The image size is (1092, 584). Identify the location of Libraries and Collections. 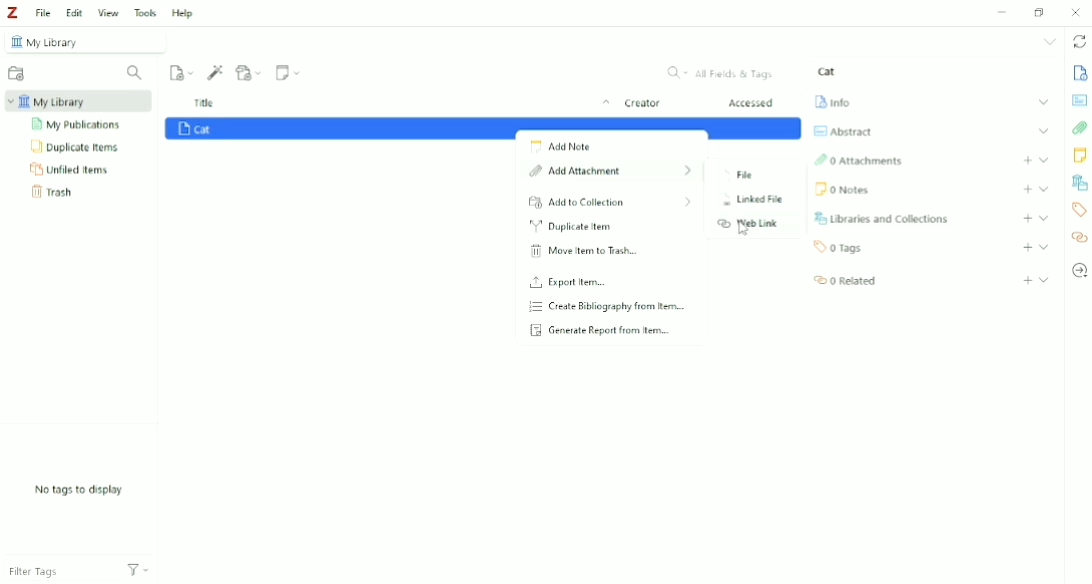
(880, 218).